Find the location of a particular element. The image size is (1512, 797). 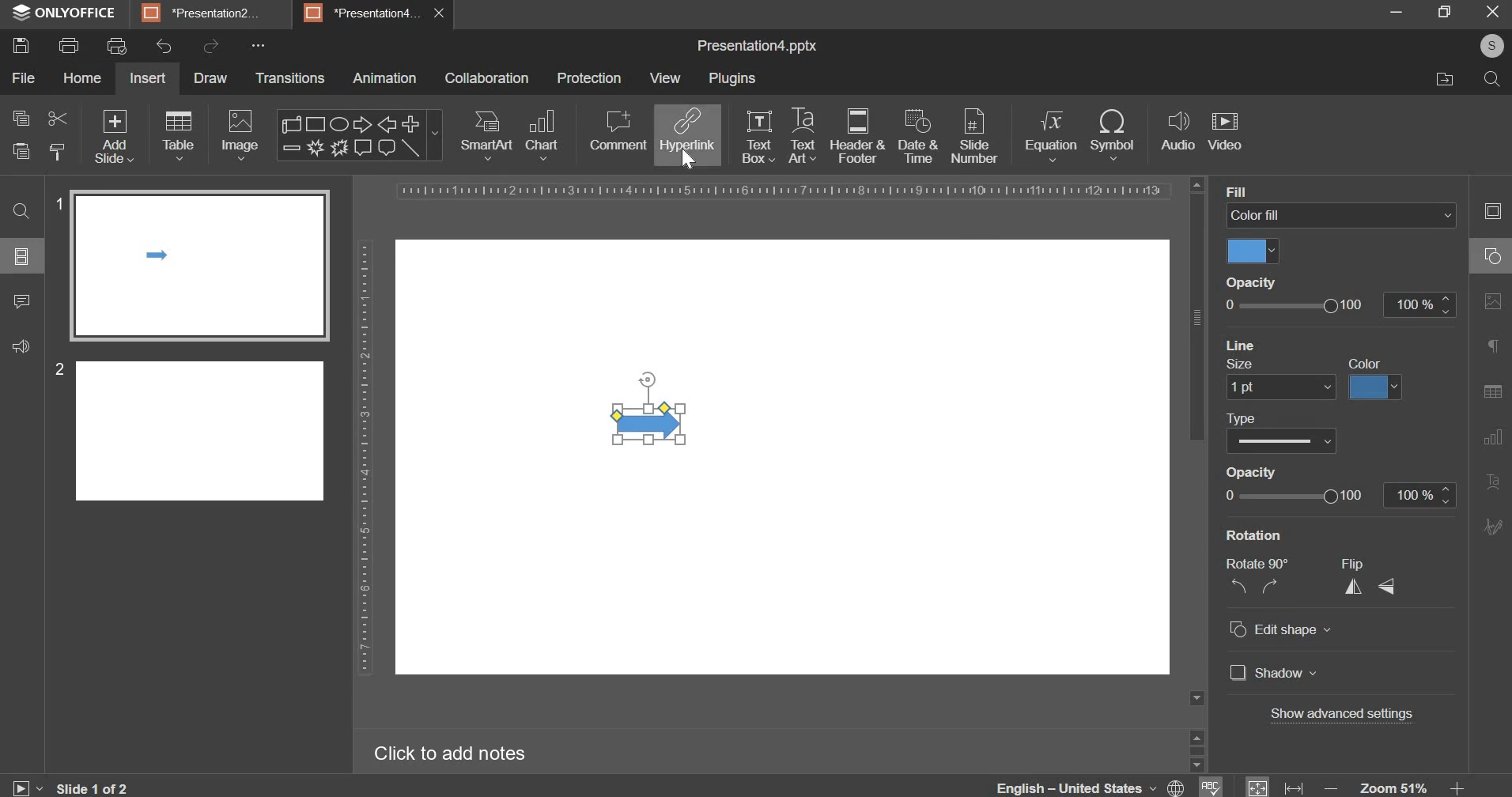

background fill is located at coordinates (1343, 214).